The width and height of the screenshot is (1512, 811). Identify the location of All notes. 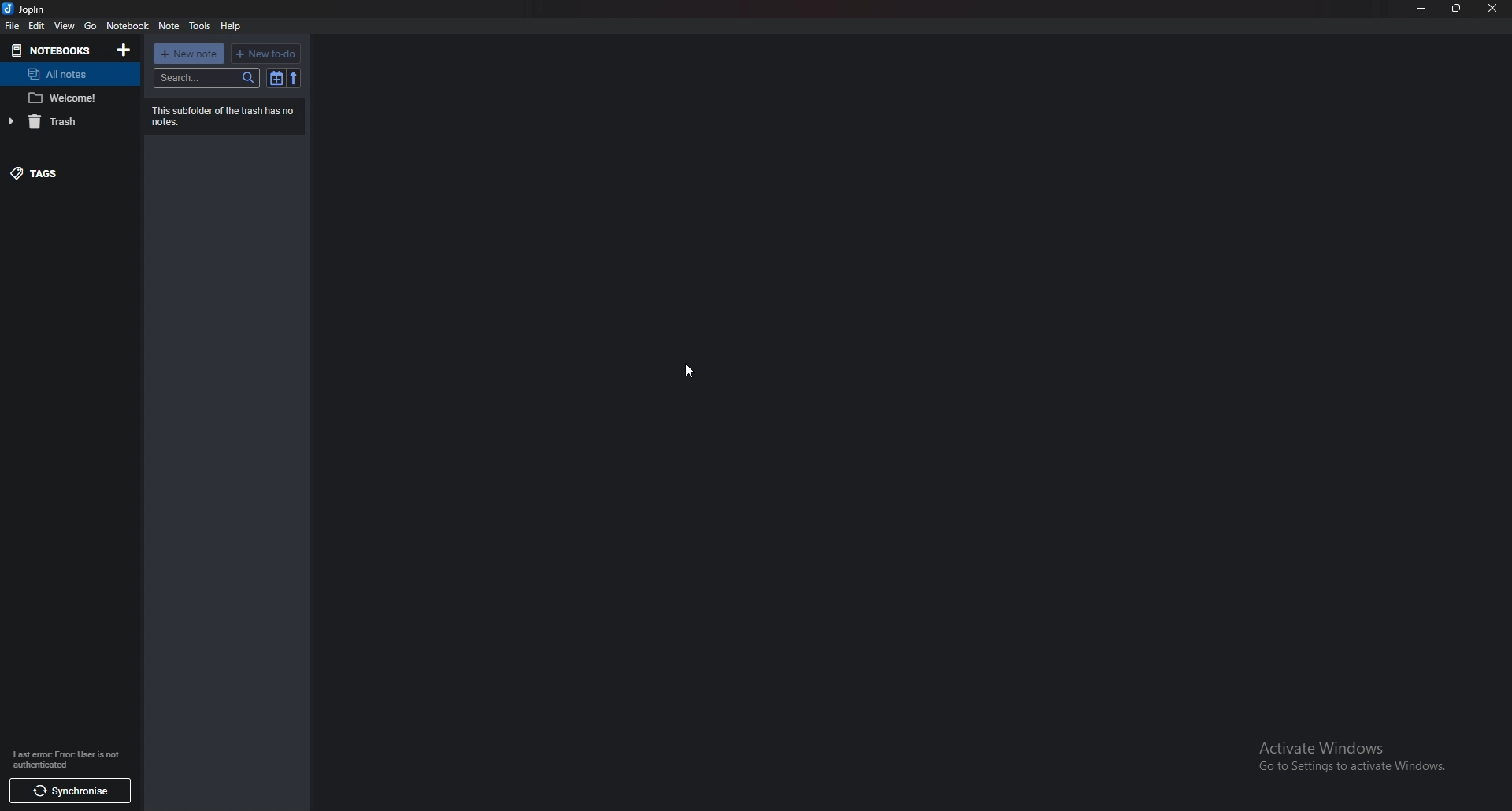
(65, 74).